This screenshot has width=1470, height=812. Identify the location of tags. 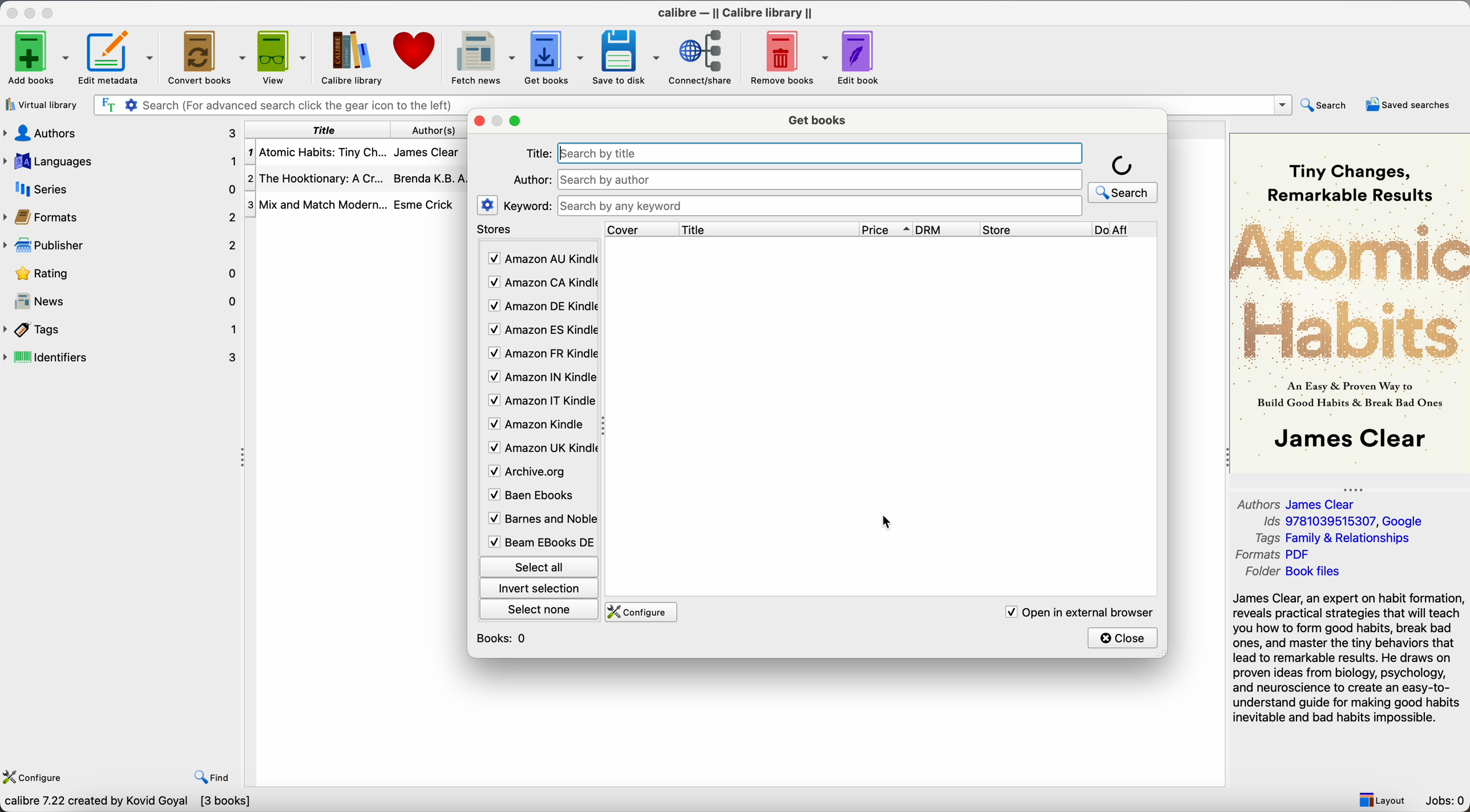
(122, 329).